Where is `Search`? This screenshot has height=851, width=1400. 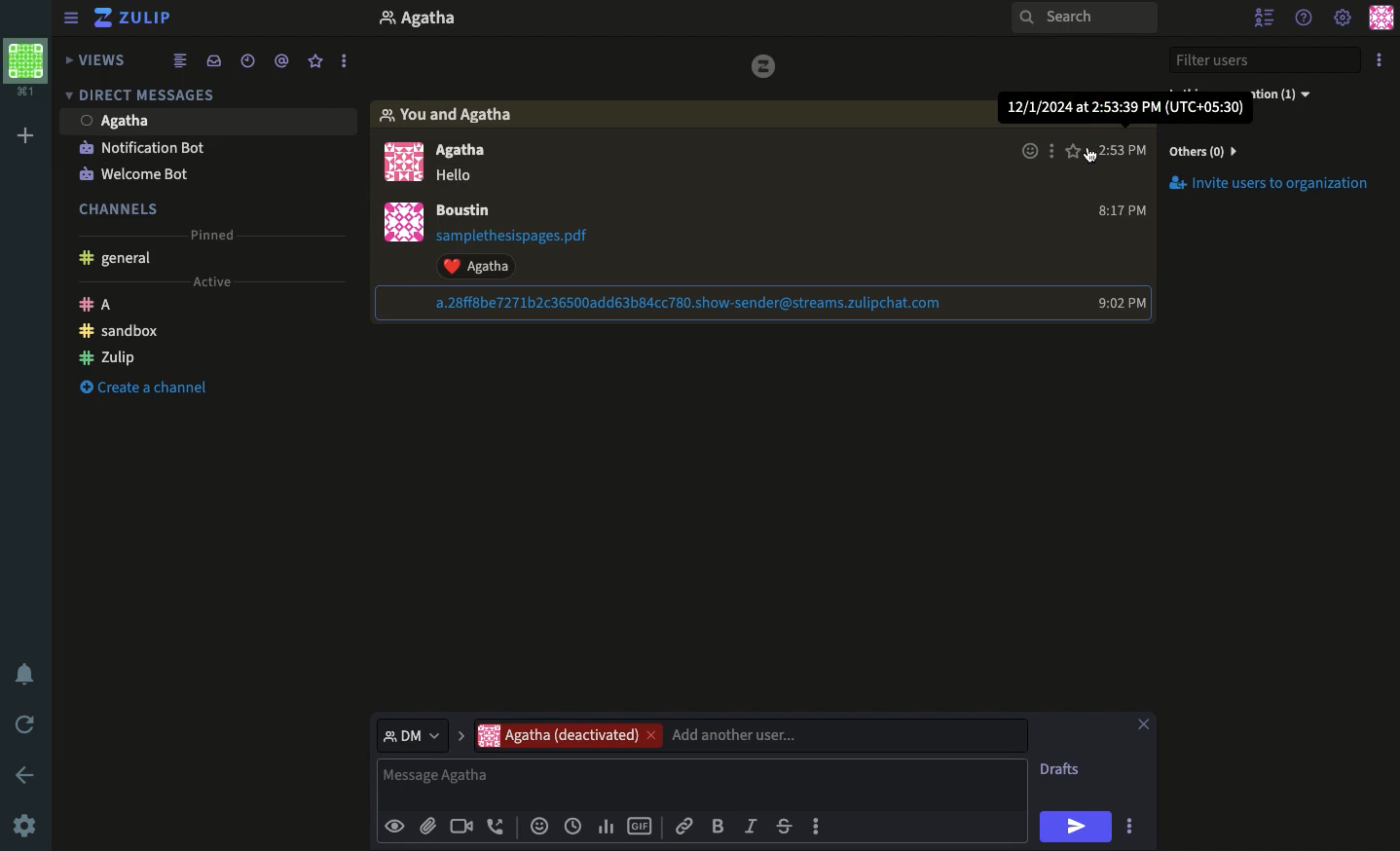
Search is located at coordinates (1082, 19).